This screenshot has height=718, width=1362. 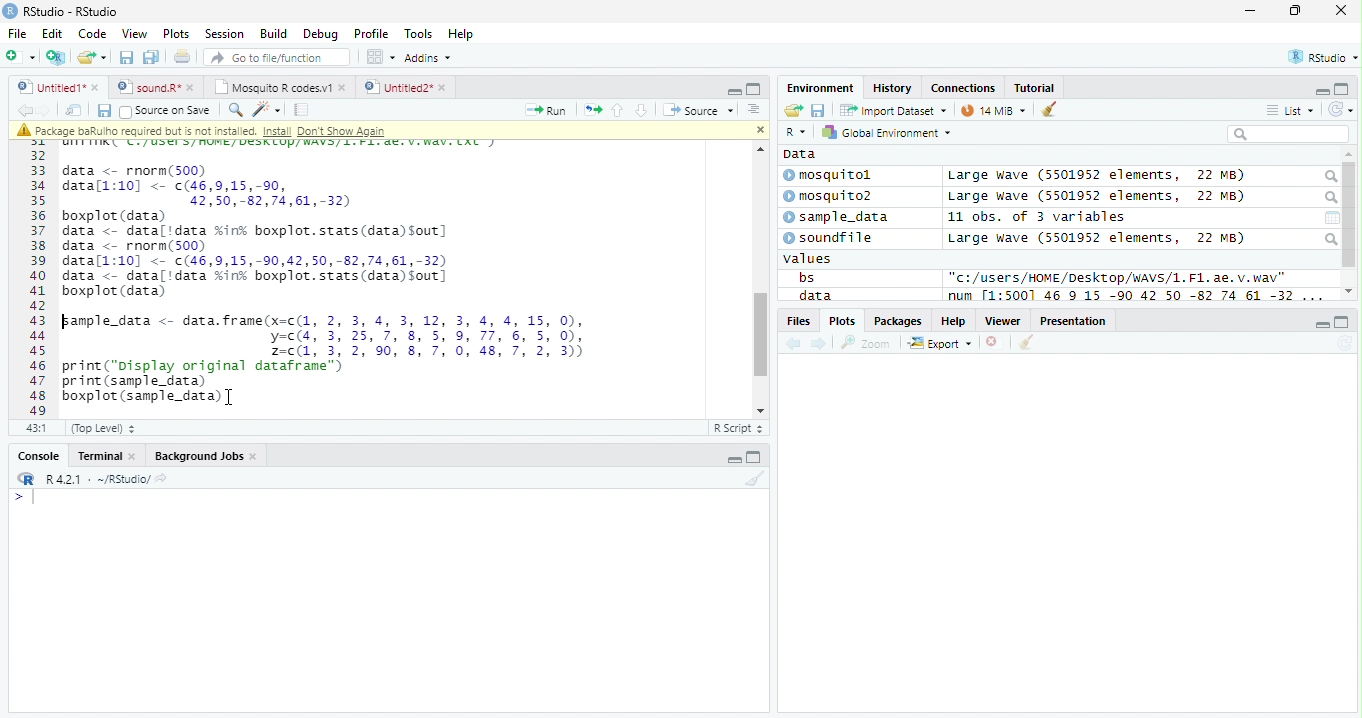 I want to click on Save the current document, so click(x=126, y=57).